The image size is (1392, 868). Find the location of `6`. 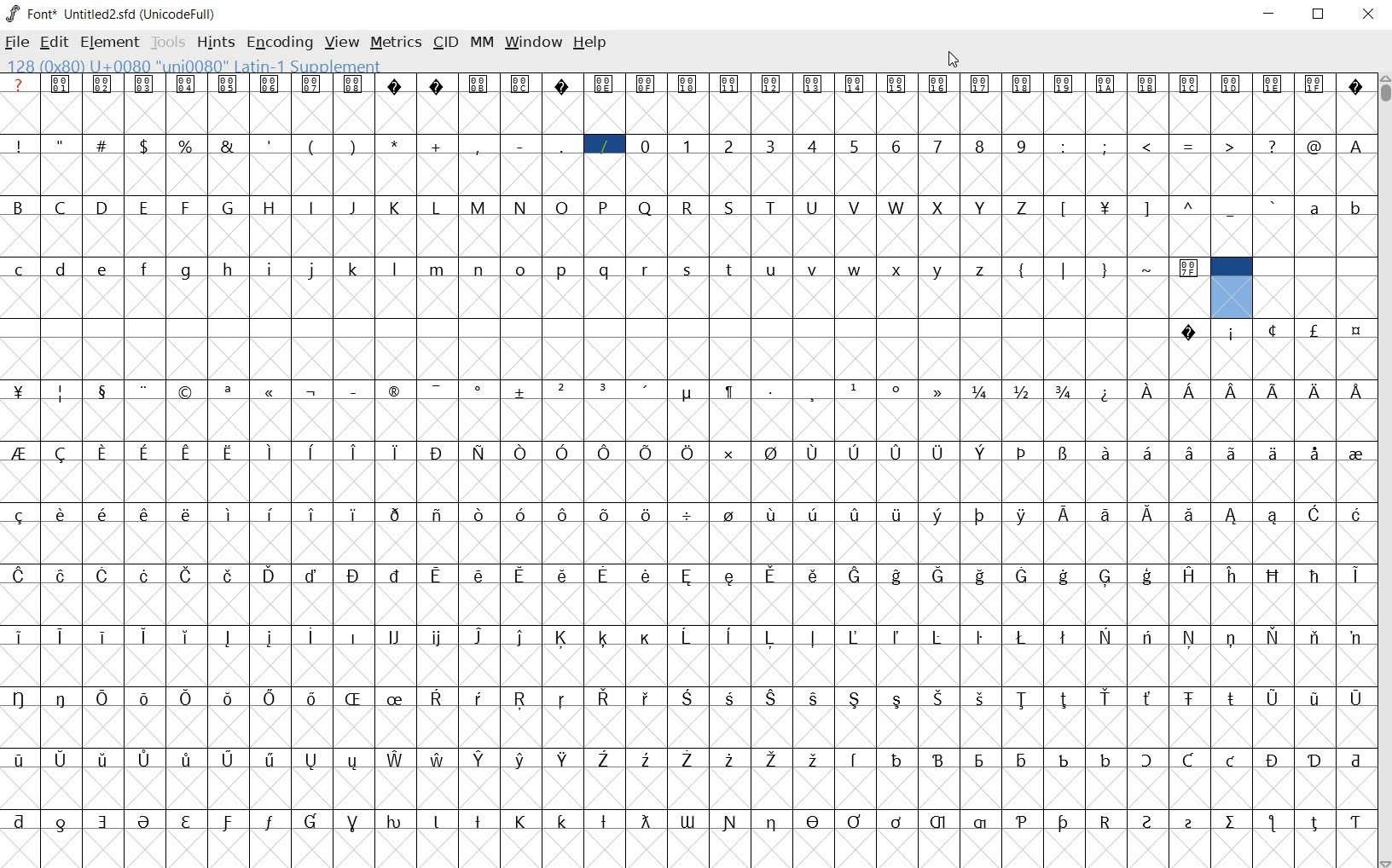

6 is located at coordinates (897, 146).